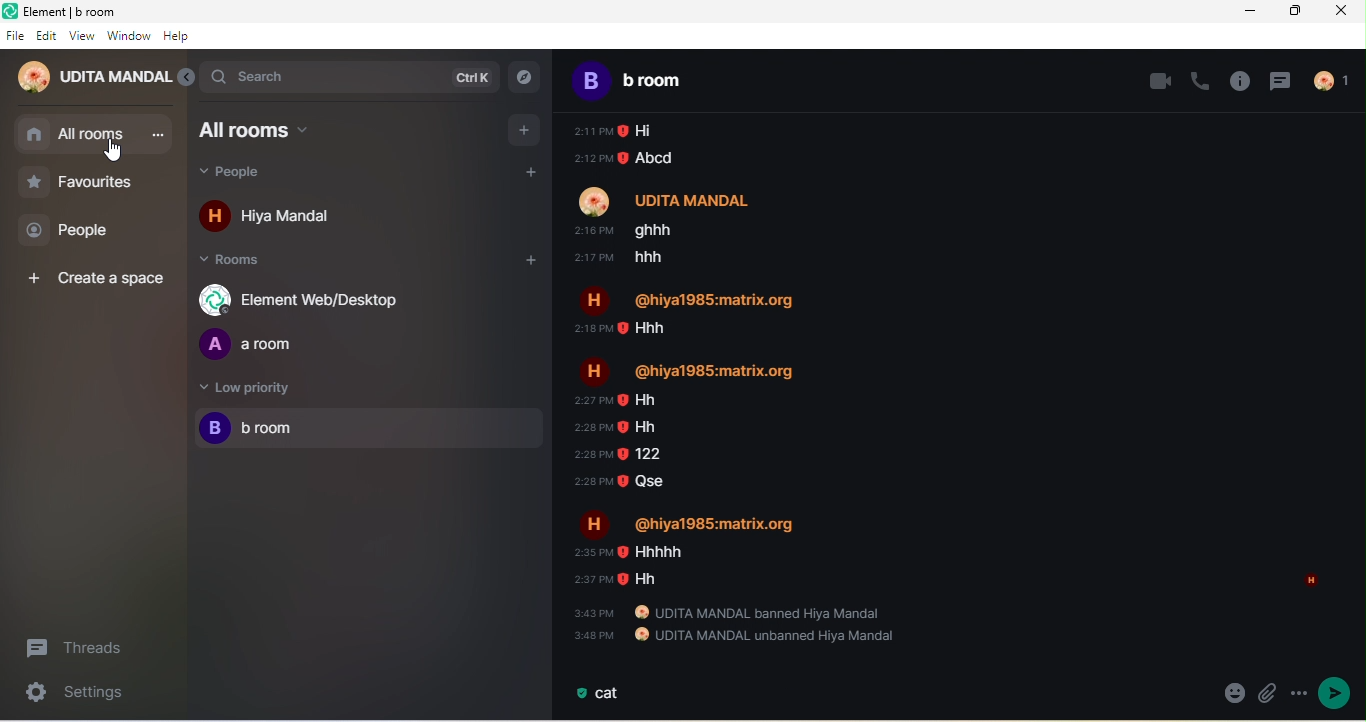 The height and width of the screenshot is (722, 1366). What do you see at coordinates (1280, 80) in the screenshot?
I see `threads` at bounding box center [1280, 80].